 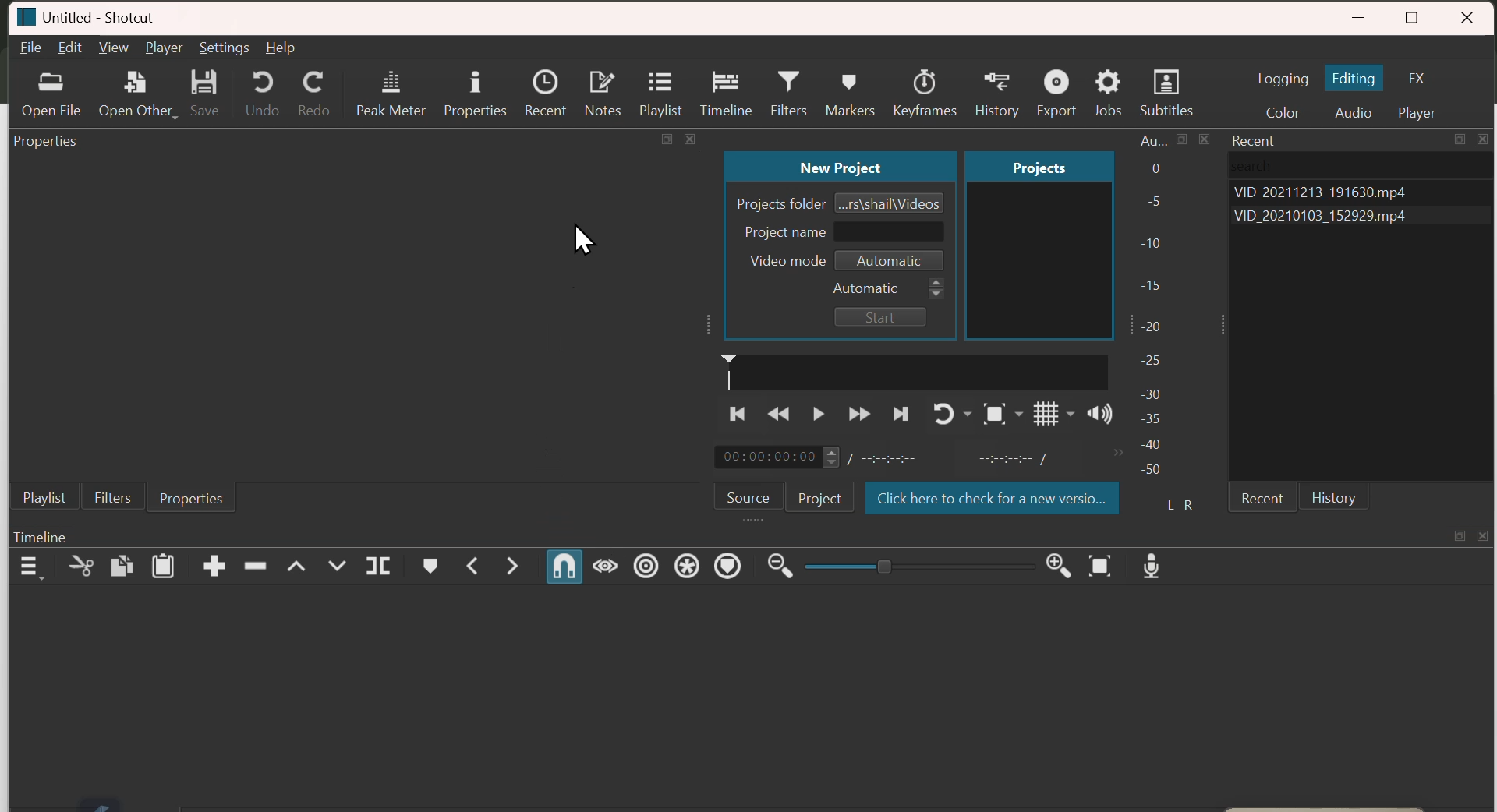 I want to click on File, so click(x=29, y=48).